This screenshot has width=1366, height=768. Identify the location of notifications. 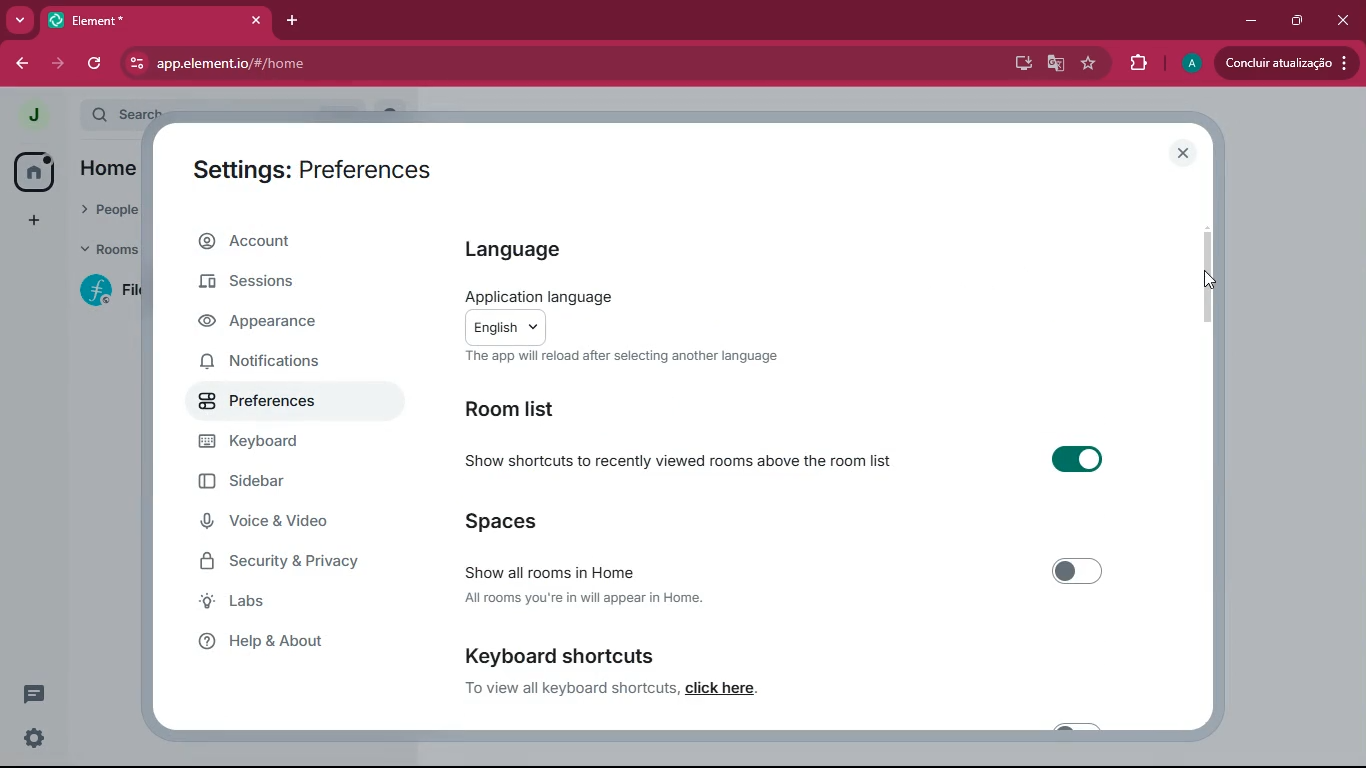
(275, 362).